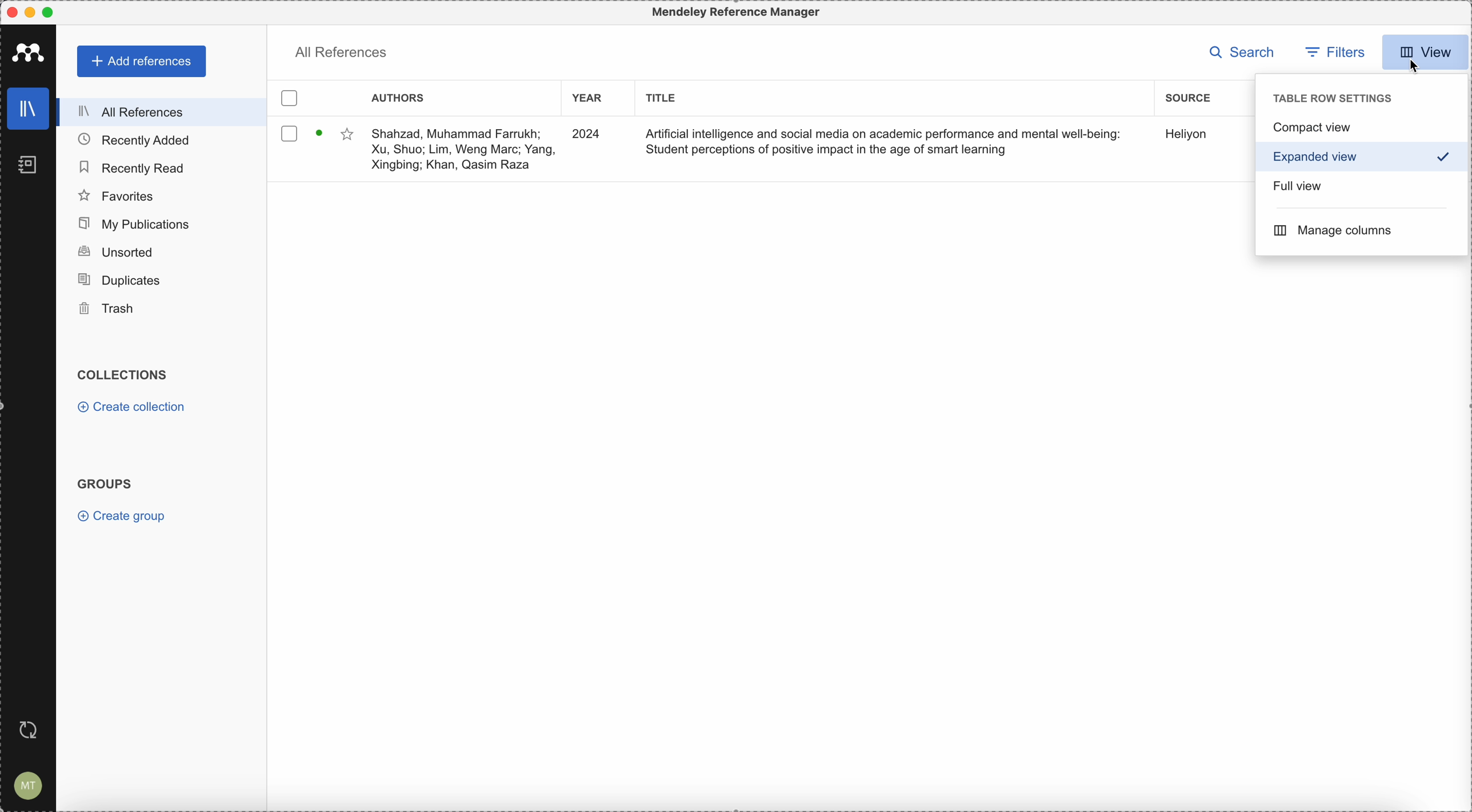 The image size is (1472, 812). Describe the element at coordinates (133, 223) in the screenshot. I see `my publications` at that location.